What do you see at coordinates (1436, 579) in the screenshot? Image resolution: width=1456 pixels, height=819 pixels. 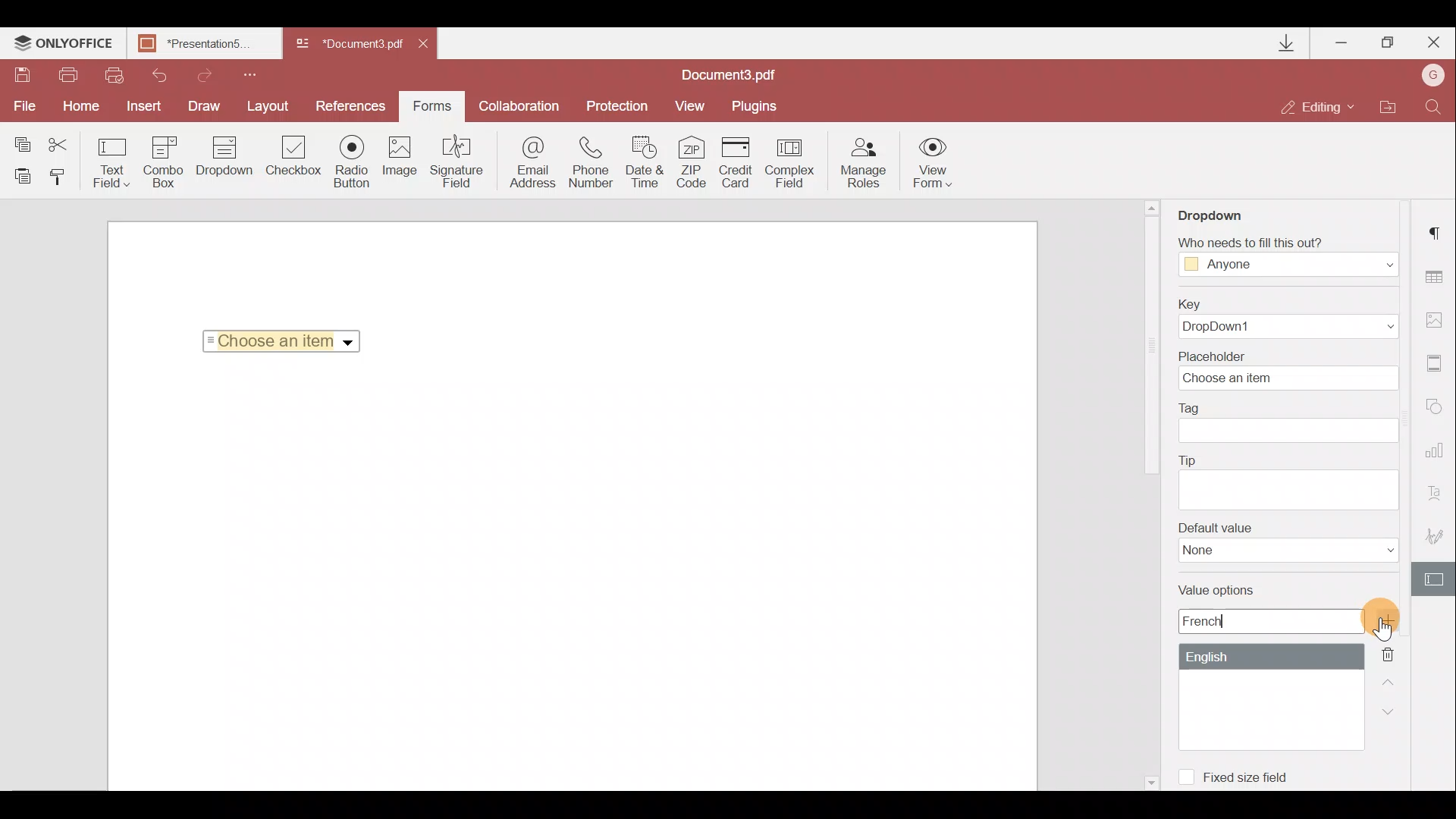 I see `Form settings` at bounding box center [1436, 579].